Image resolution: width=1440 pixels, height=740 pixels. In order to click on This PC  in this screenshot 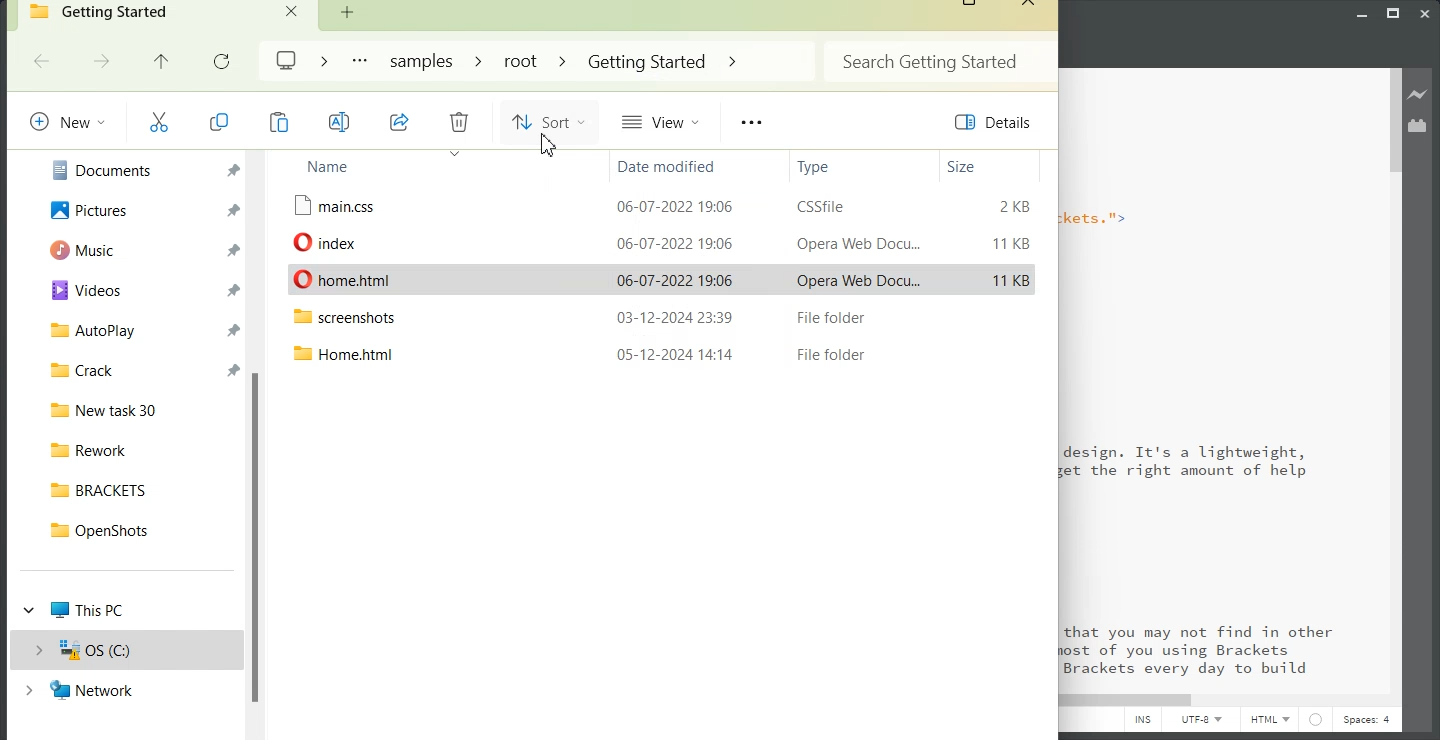, I will do `click(127, 610)`.